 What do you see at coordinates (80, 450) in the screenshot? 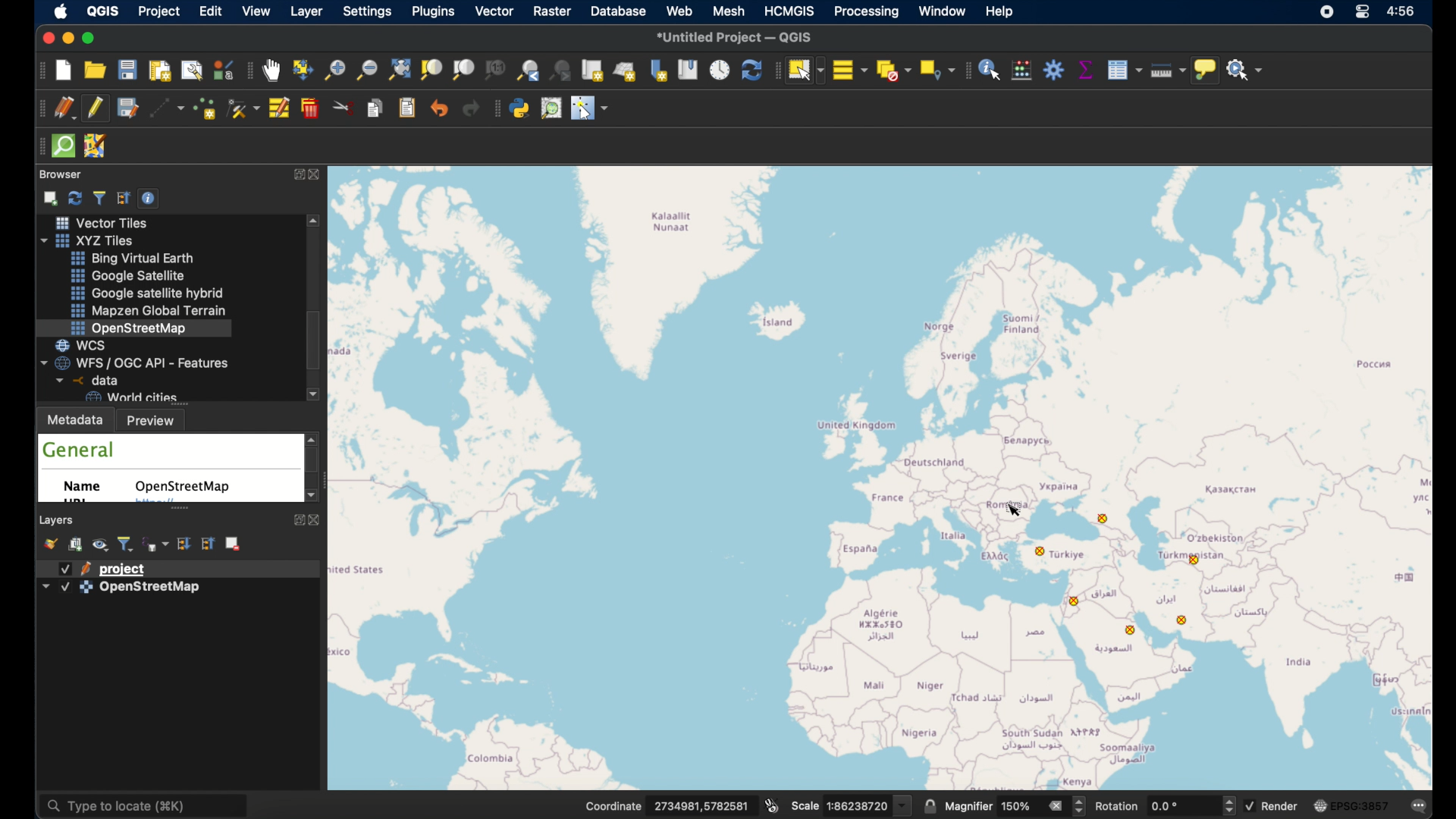
I see `general` at bounding box center [80, 450].